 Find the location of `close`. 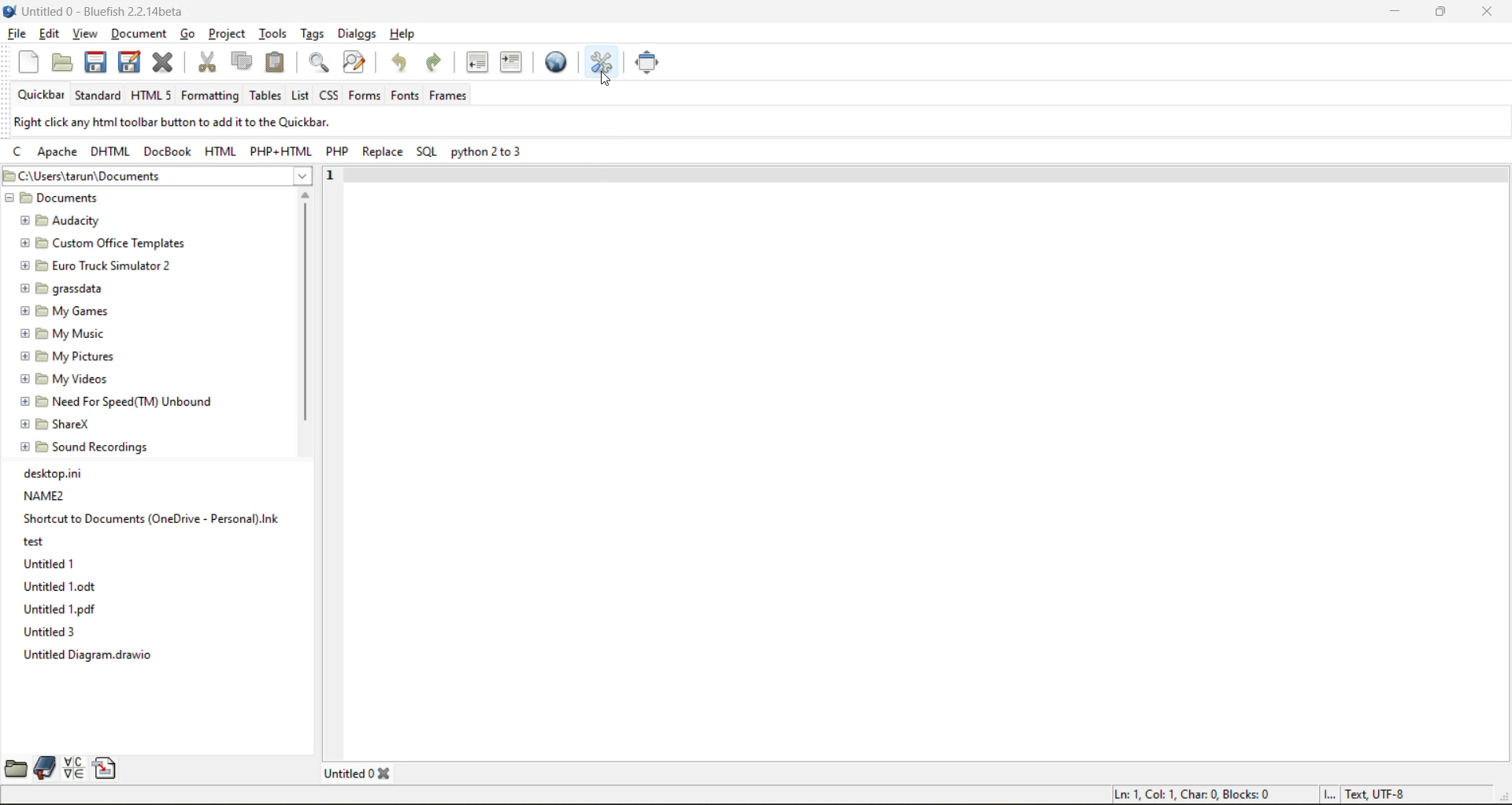

close is located at coordinates (1486, 12).